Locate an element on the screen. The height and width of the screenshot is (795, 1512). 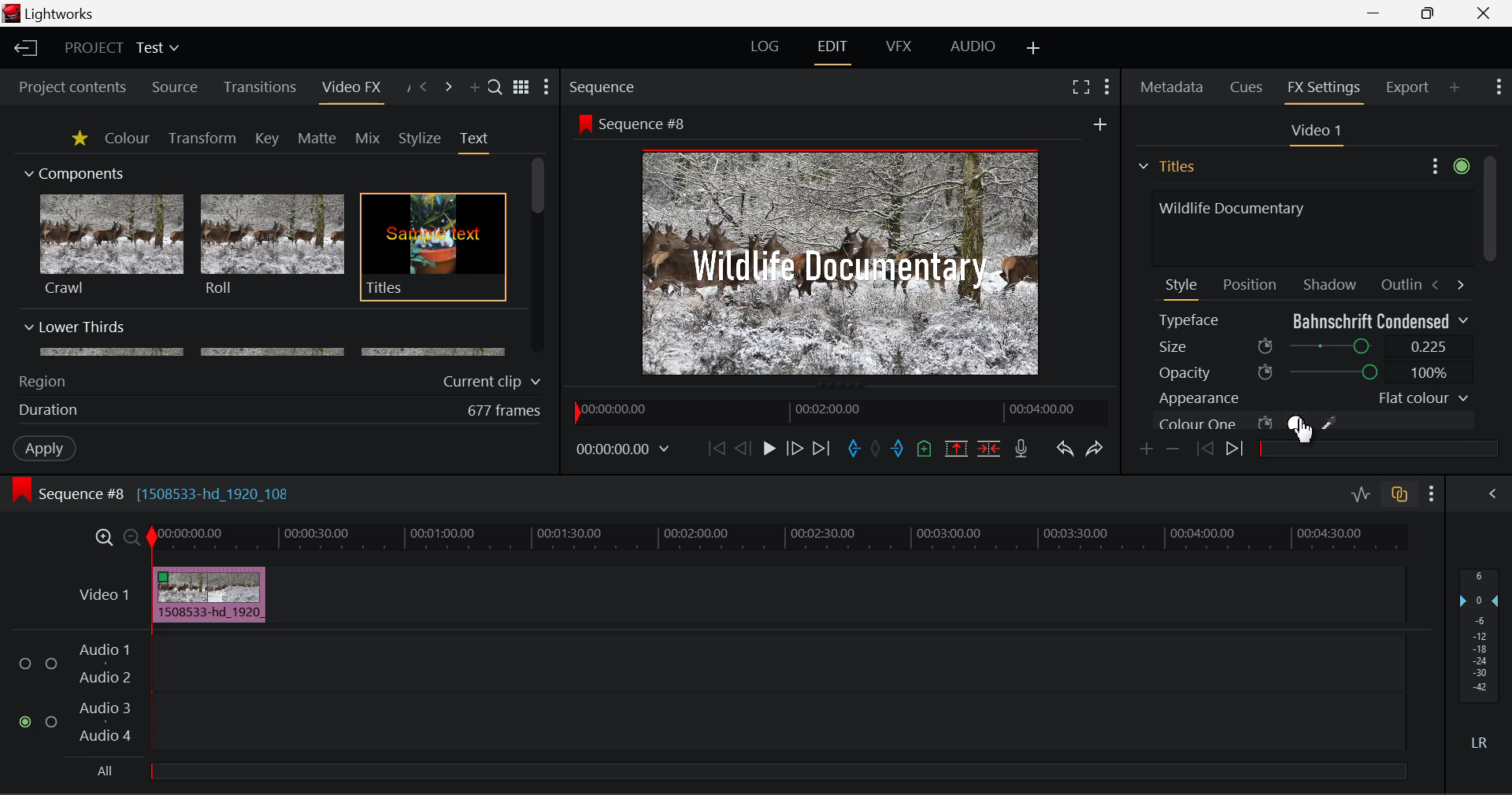
Text Input Field is located at coordinates (1307, 226).